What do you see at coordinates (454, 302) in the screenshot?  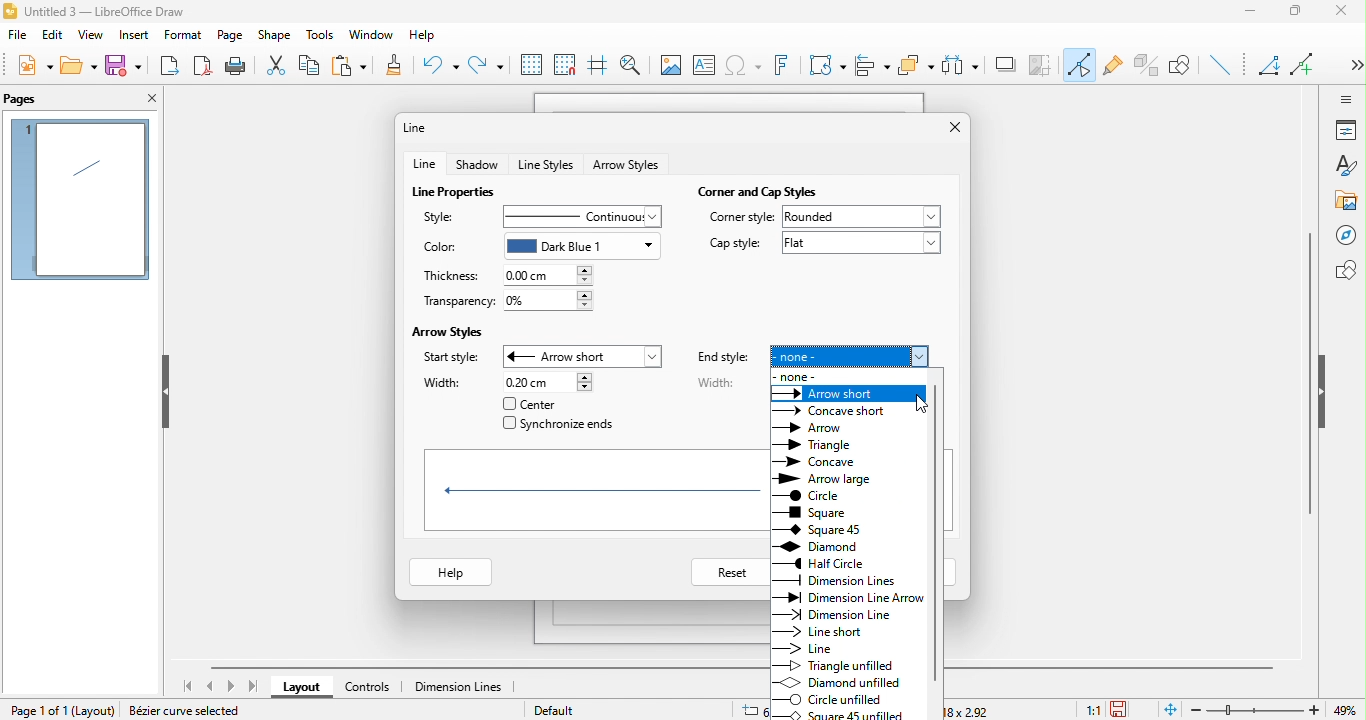 I see `transparency` at bounding box center [454, 302].